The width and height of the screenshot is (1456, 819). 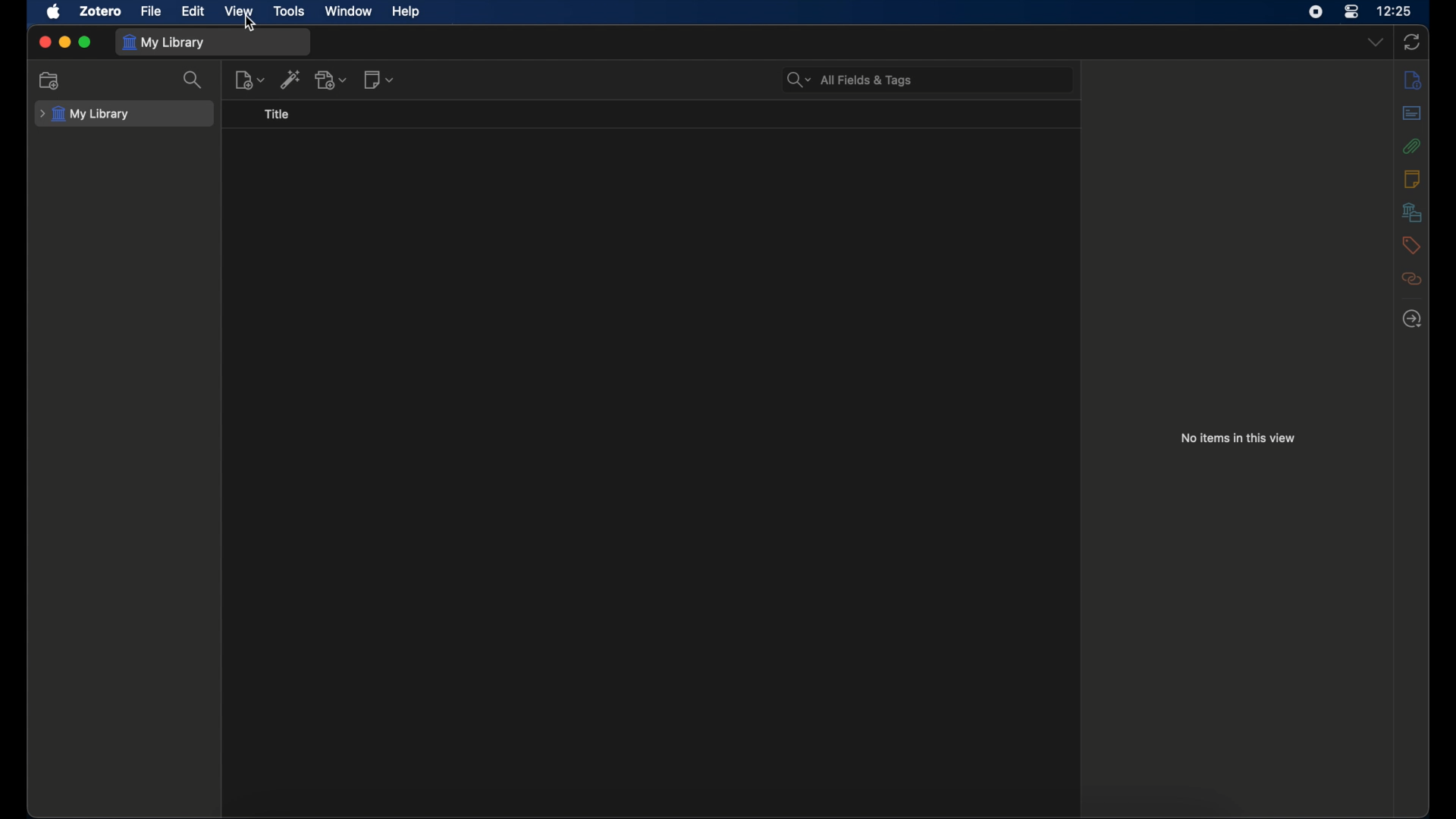 I want to click on control center, so click(x=1352, y=11).